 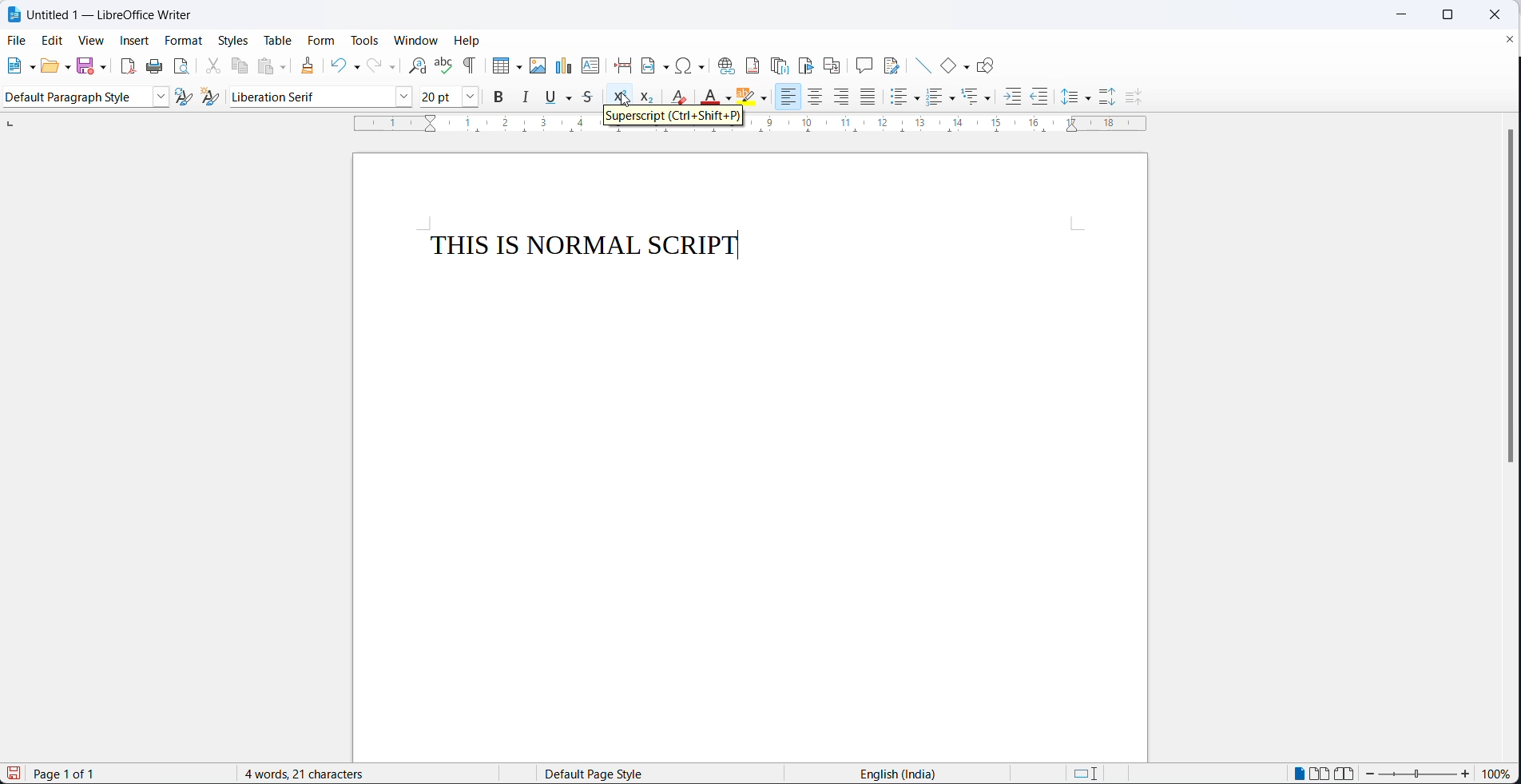 What do you see at coordinates (232, 40) in the screenshot?
I see `styles` at bounding box center [232, 40].